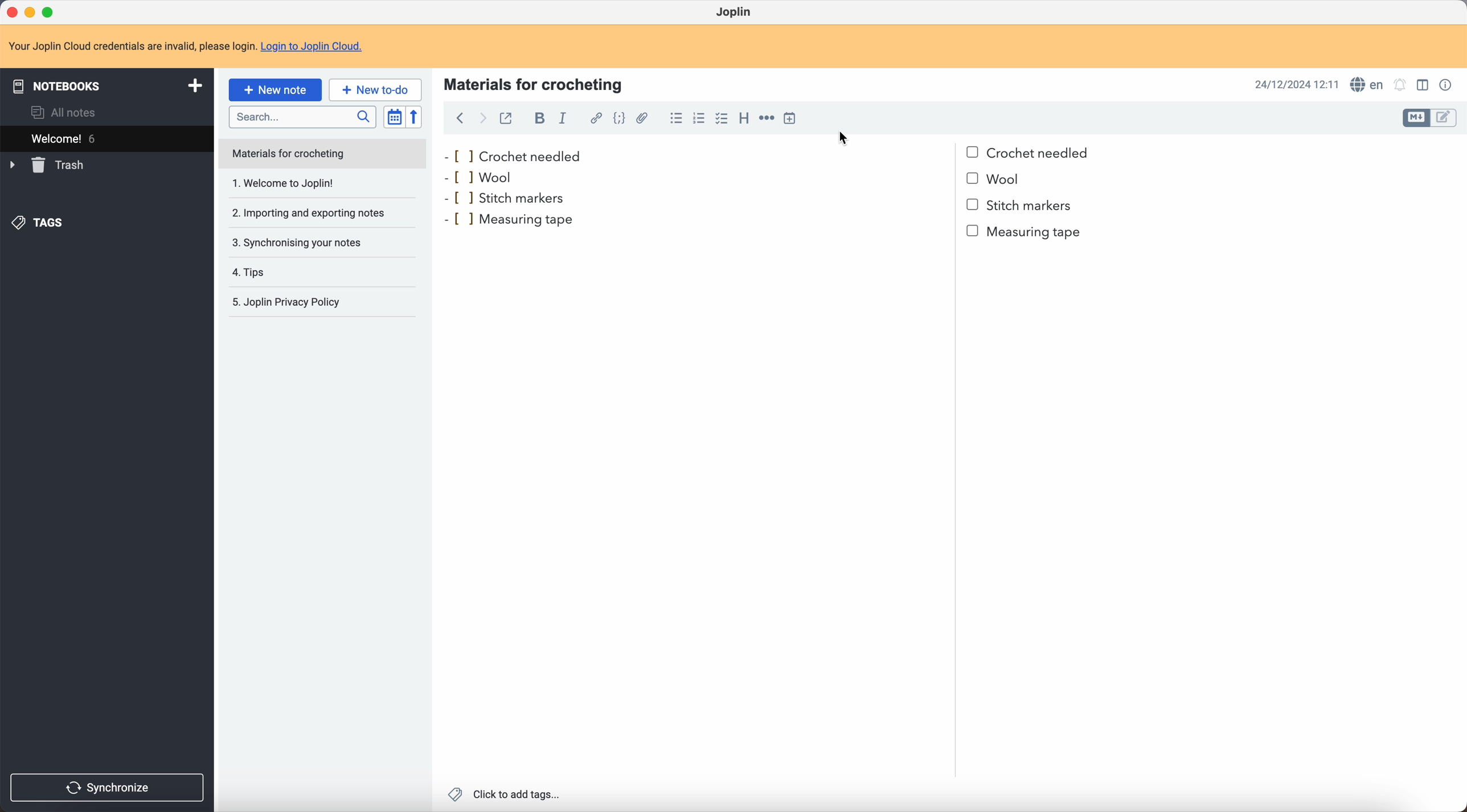  Describe the element at coordinates (276, 89) in the screenshot. I see `click on new note` at that location.